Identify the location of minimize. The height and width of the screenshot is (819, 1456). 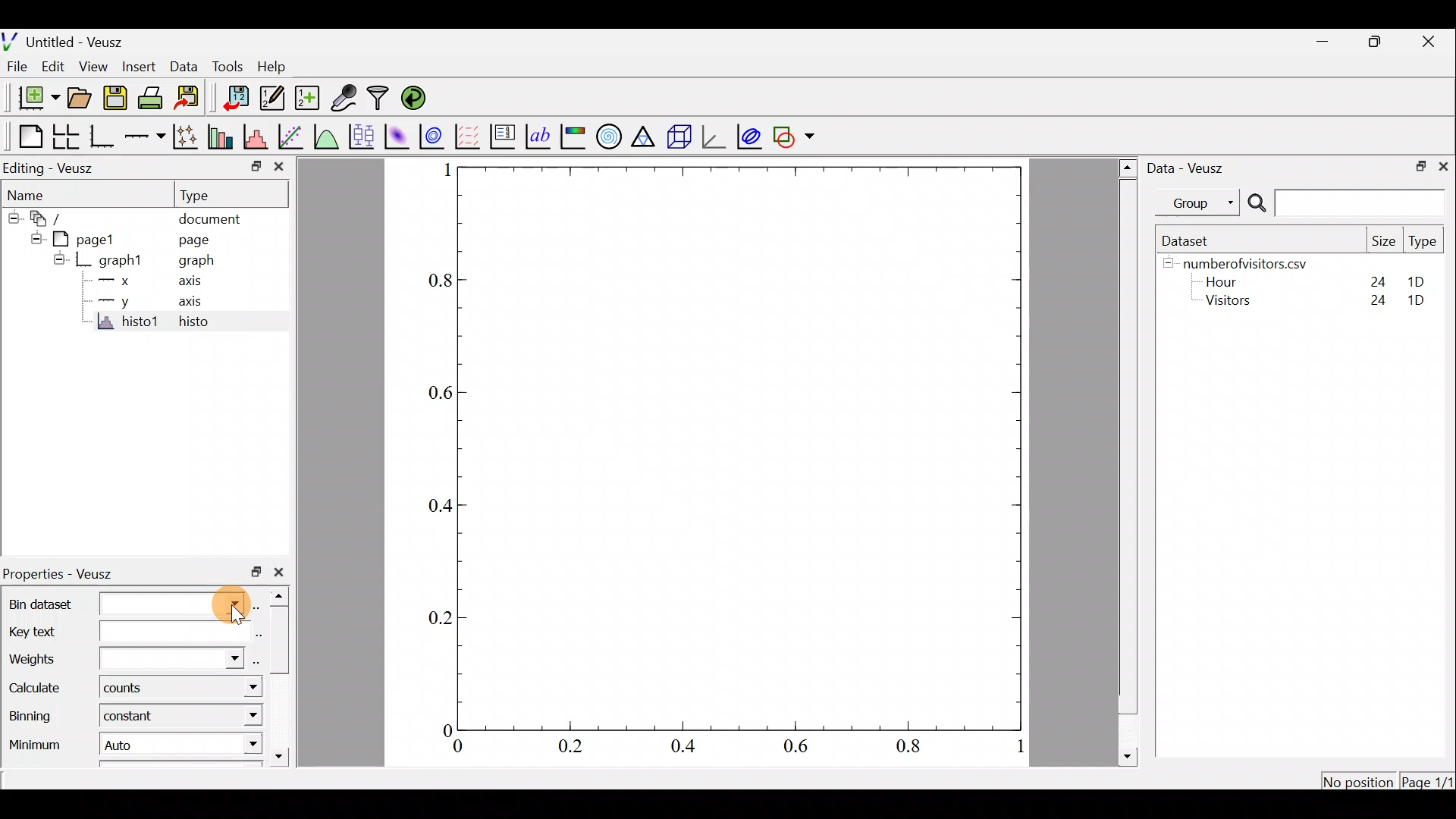
(1323, 43).